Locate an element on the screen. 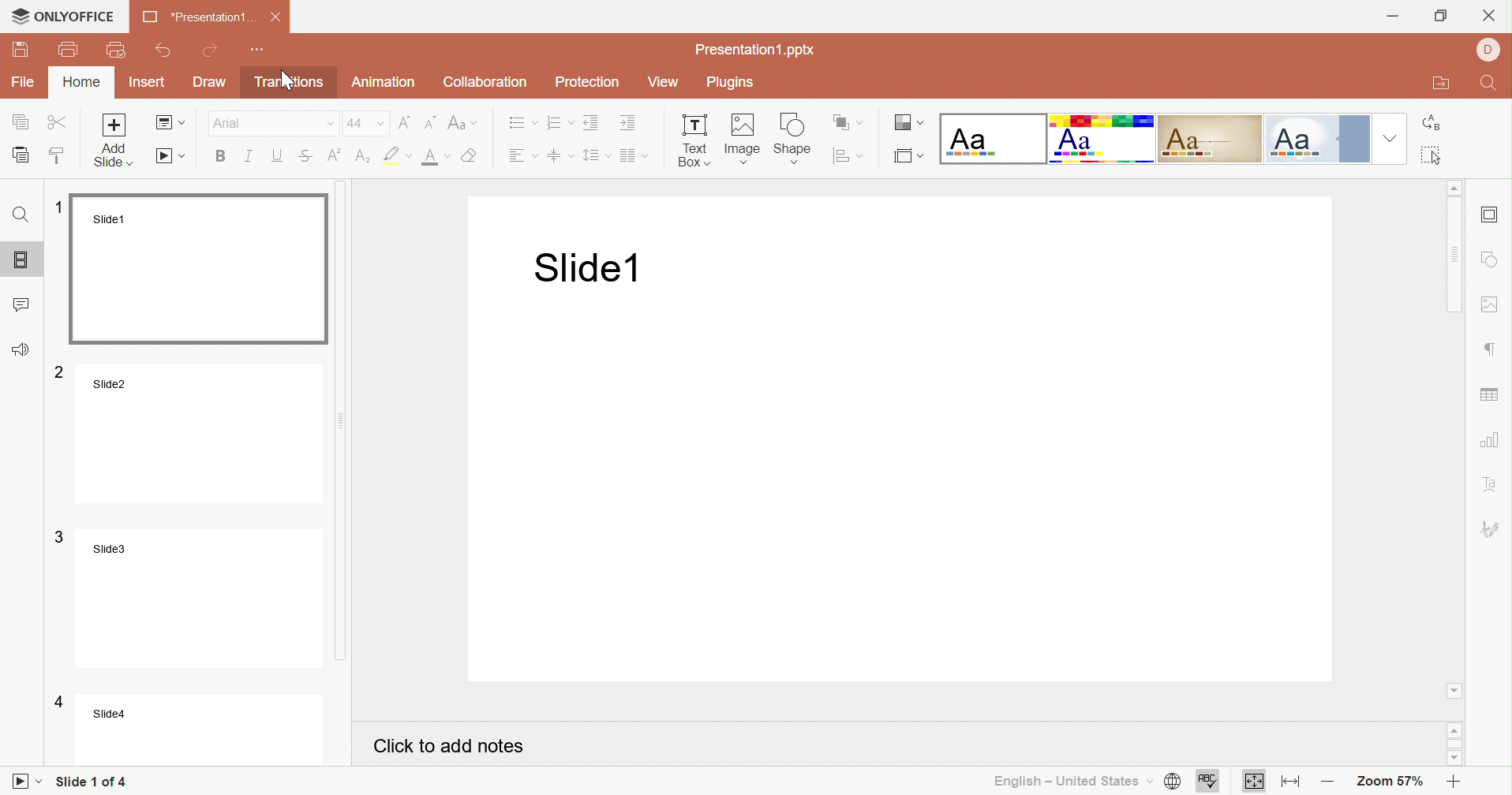  Blank is located at coordinates (990, 139).